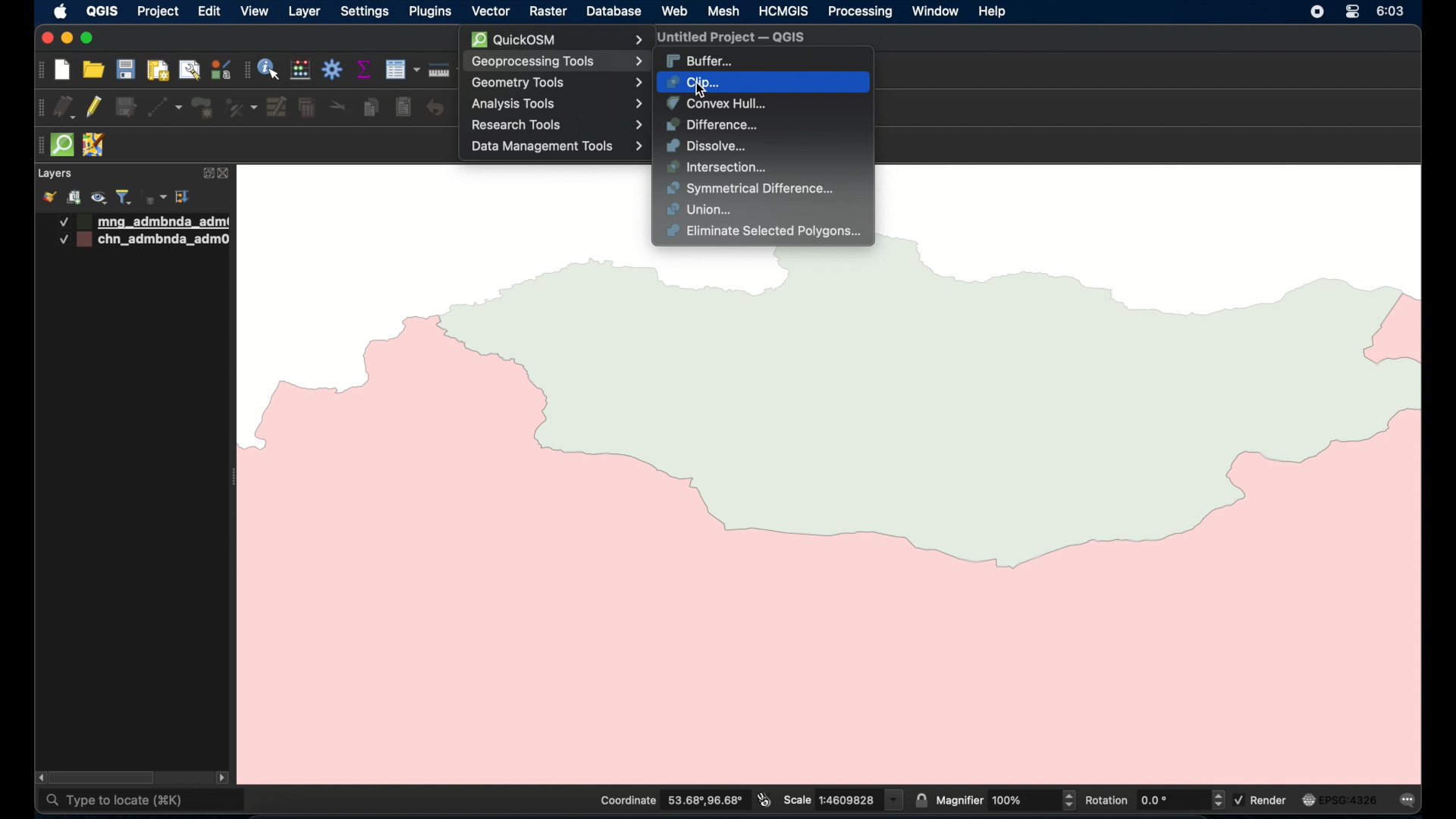 This screenshot has width=1456, height=819. I want to click on modify attributes, so click(278, 108).